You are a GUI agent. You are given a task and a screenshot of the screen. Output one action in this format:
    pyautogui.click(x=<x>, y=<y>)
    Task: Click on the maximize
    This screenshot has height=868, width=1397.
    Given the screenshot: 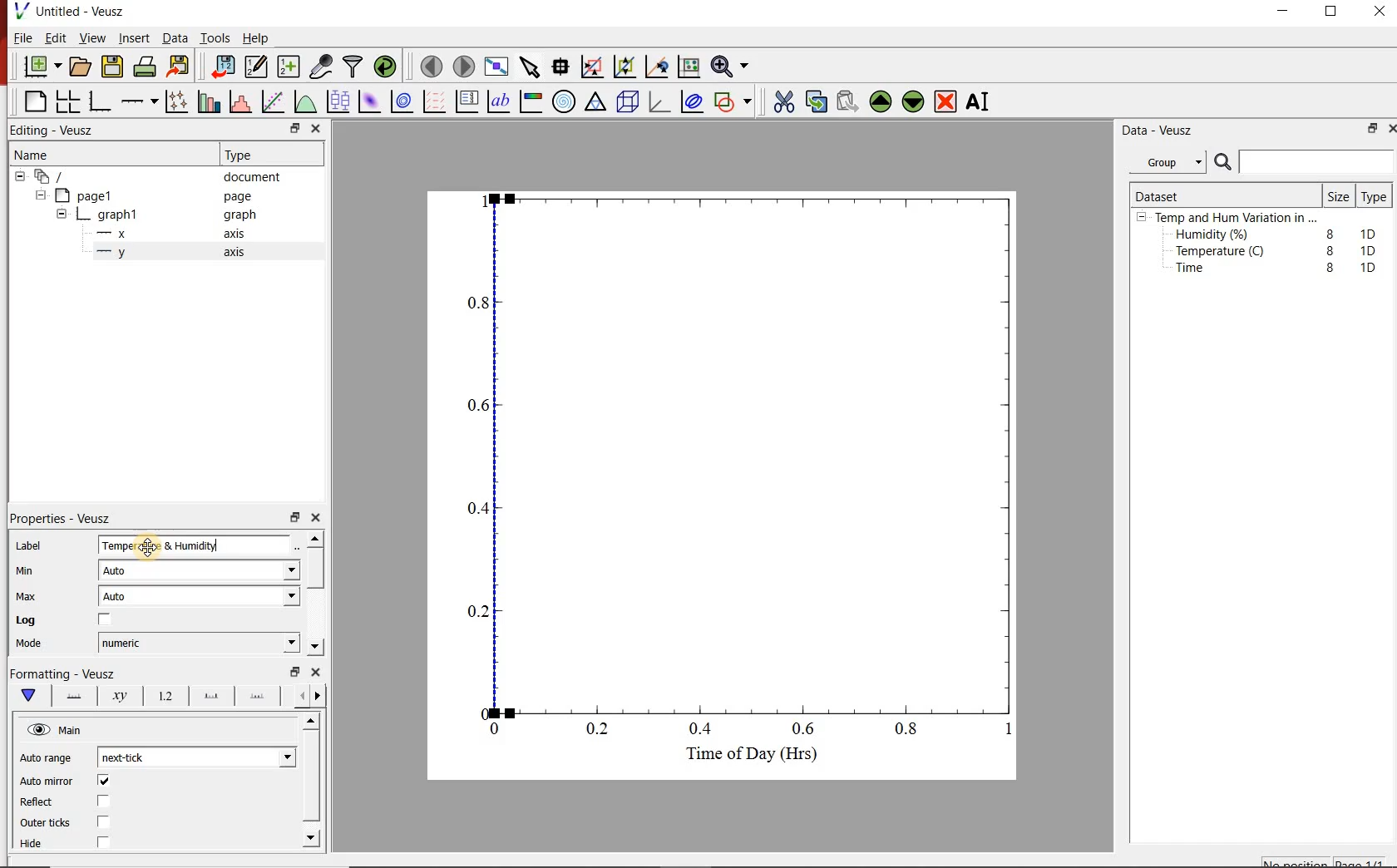 What is the action you would take?
    pyautogui.click(x=1340, y=12)
    